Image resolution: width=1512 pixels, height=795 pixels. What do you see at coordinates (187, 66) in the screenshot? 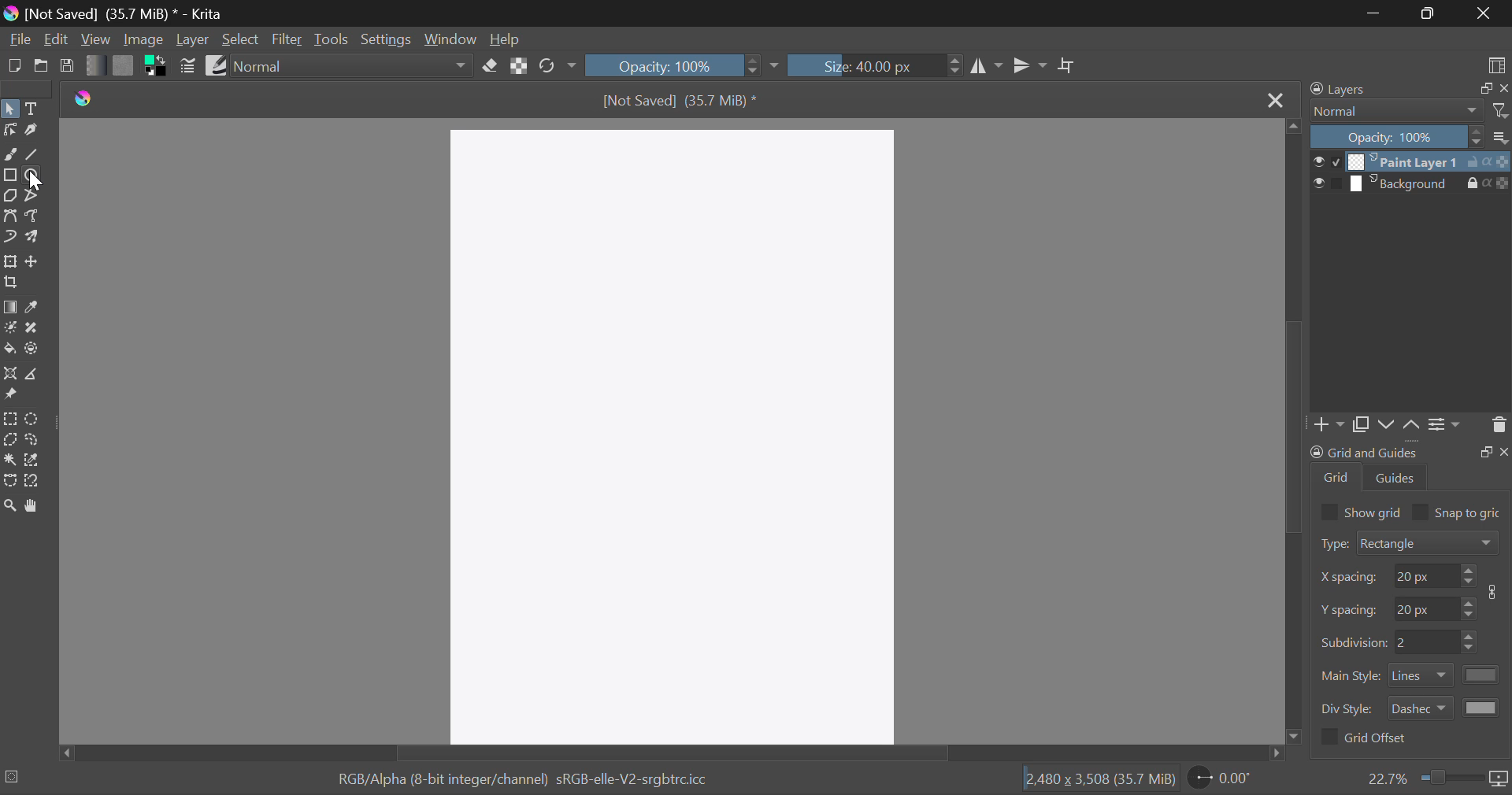
I see `Brush Settings` at bounding box center [187, 66].